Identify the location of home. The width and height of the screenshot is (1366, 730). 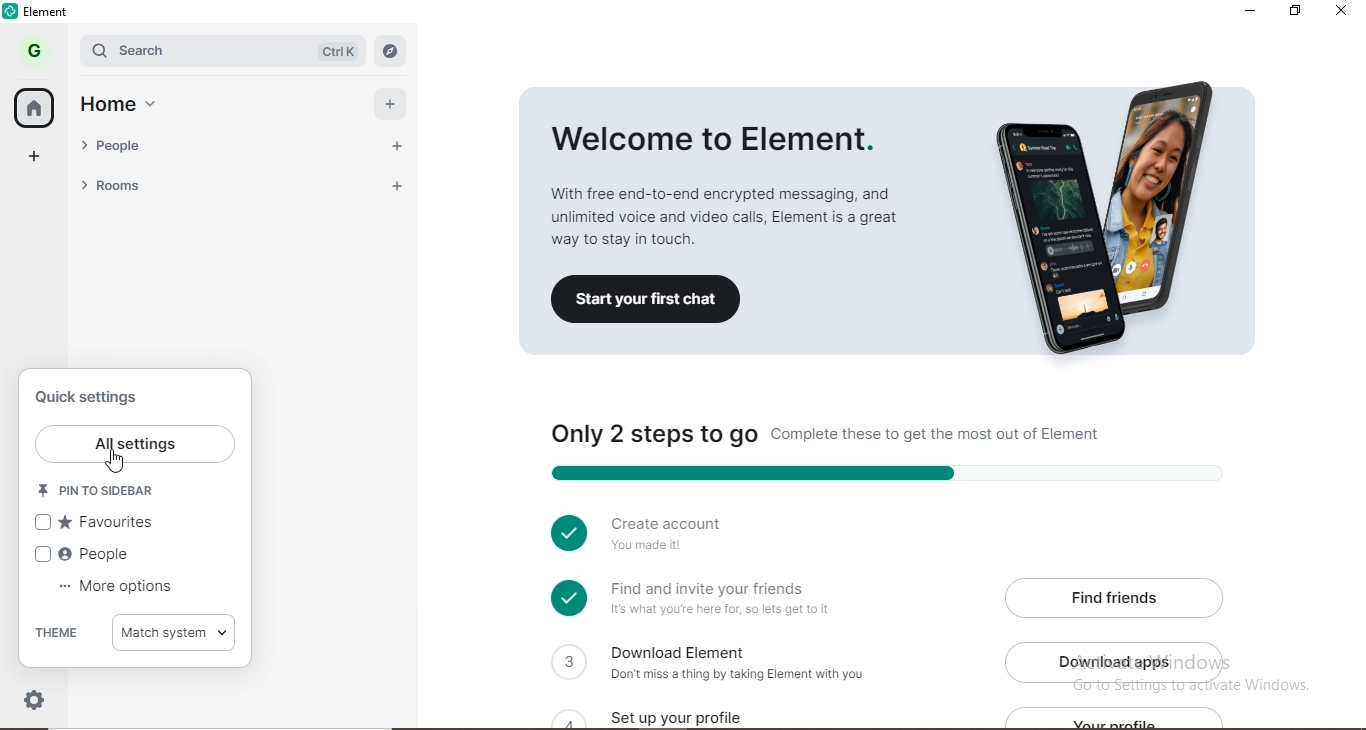
(36, 109).